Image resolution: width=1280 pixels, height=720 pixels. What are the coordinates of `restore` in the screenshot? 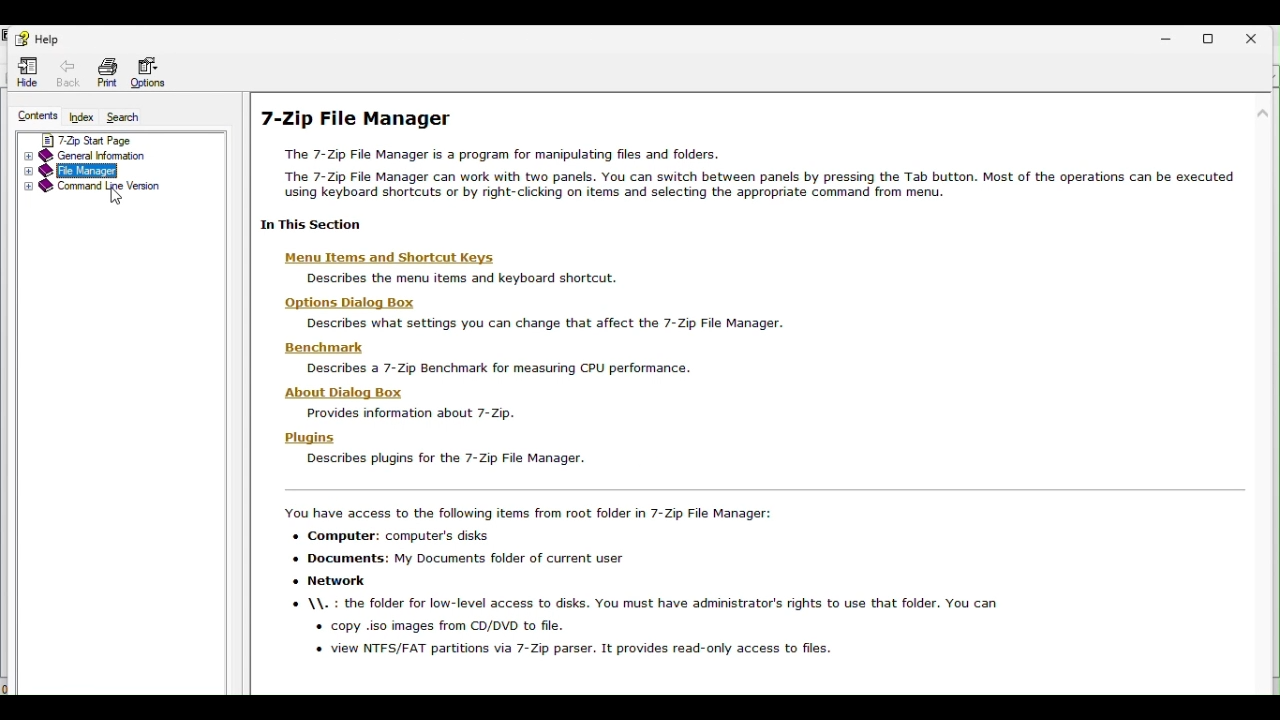 It's located at (1218, 35).